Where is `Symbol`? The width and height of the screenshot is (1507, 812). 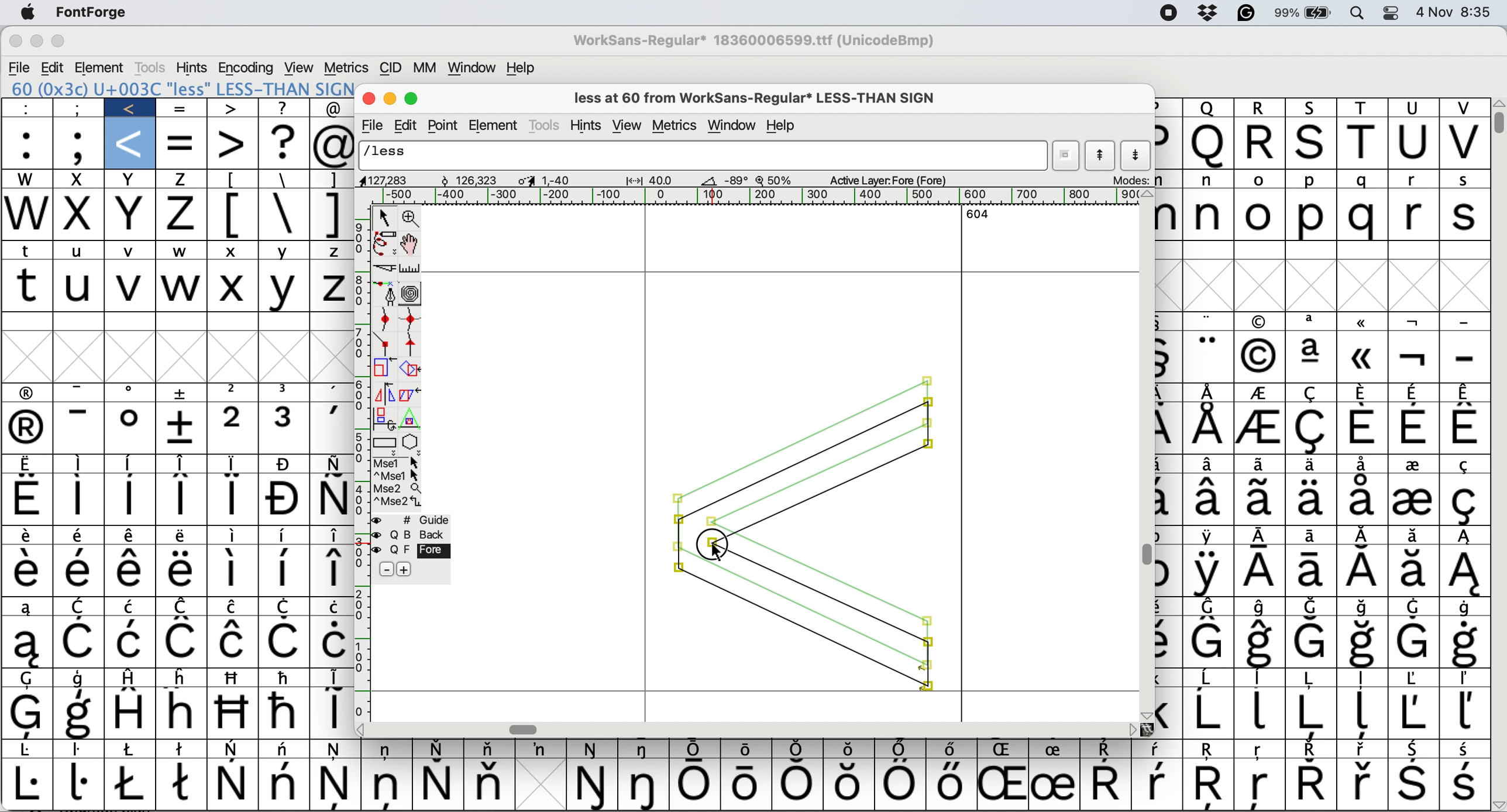 Symbol is located at coordinates (285, 783).